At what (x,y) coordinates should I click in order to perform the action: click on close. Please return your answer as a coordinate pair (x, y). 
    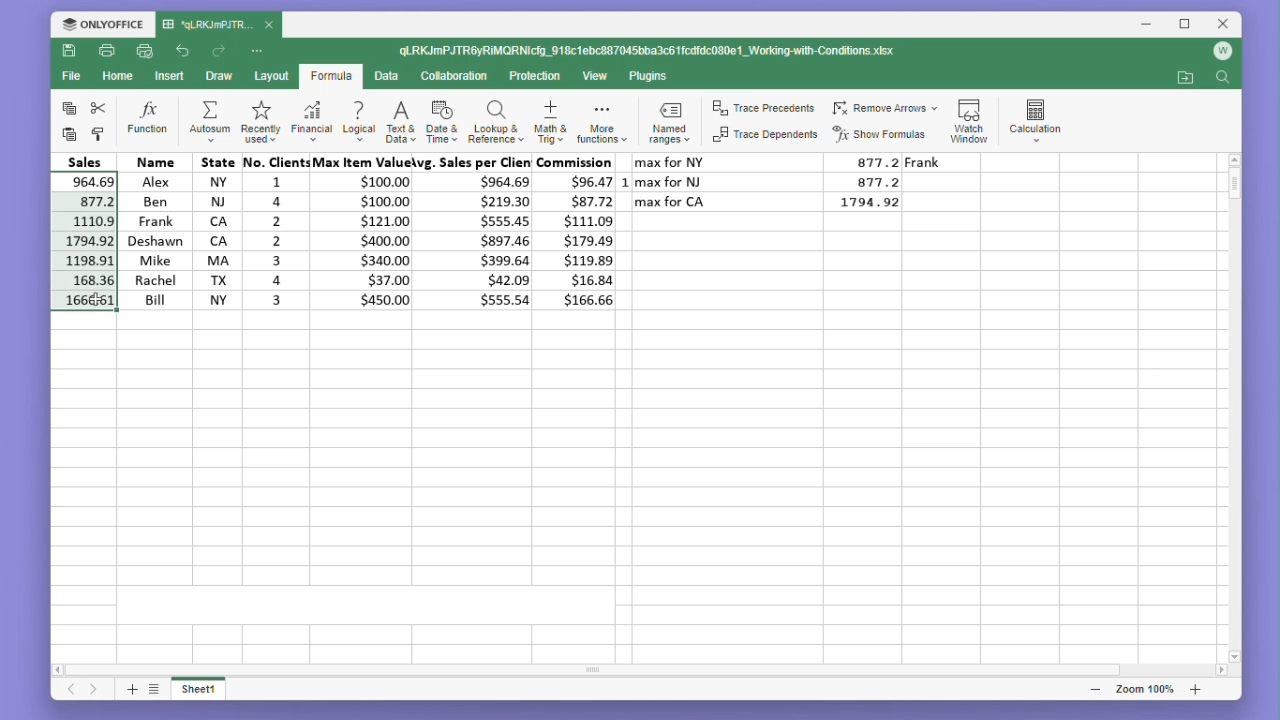
    Looking at the image, I should click on (270, 24).